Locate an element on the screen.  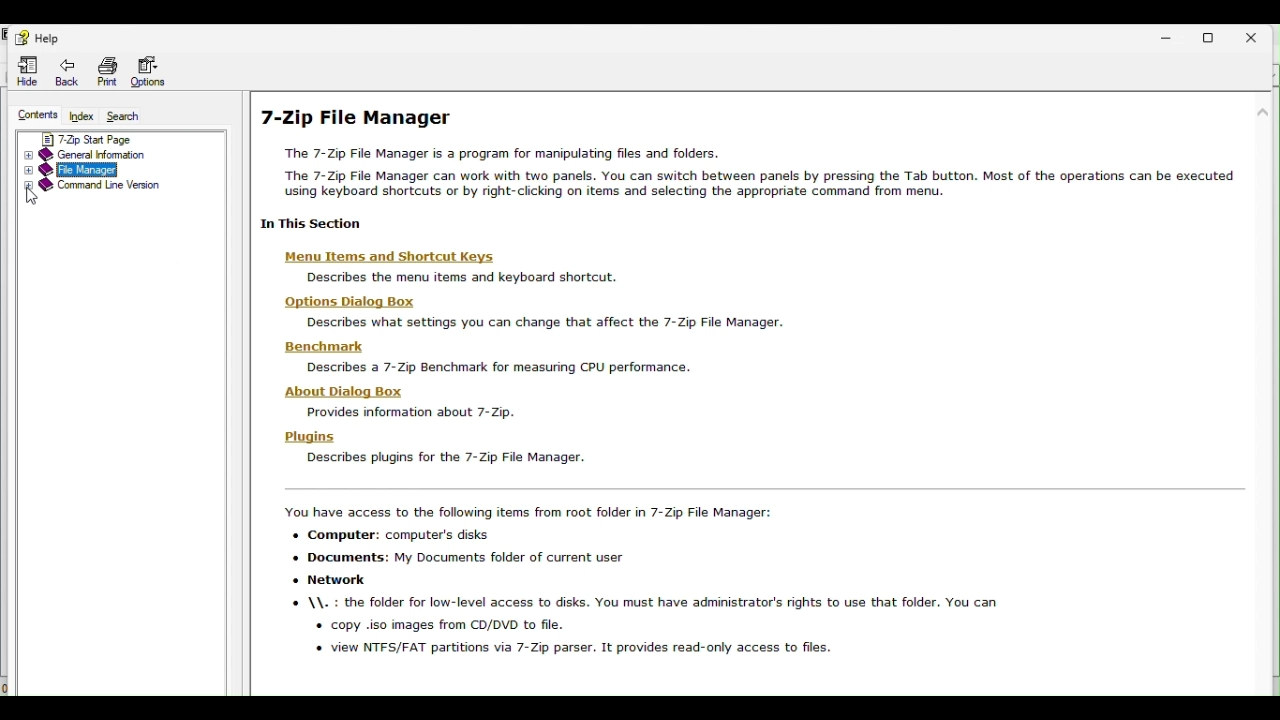
You have access to the following items from root folder in 7-Zip File Manager:
+ Computer: computer's disks
+ Documents: My Documents folder of current user
+ Network
 \\. : the folder for low-level access to disks. You must have administrator's rights to use that folder. You can
« copy .iso images from CD/DVD to file.
« view NTFS/FAT partitions via 7-Zip parser. It provides read-only access to files. is located at coordinates (650, 583).